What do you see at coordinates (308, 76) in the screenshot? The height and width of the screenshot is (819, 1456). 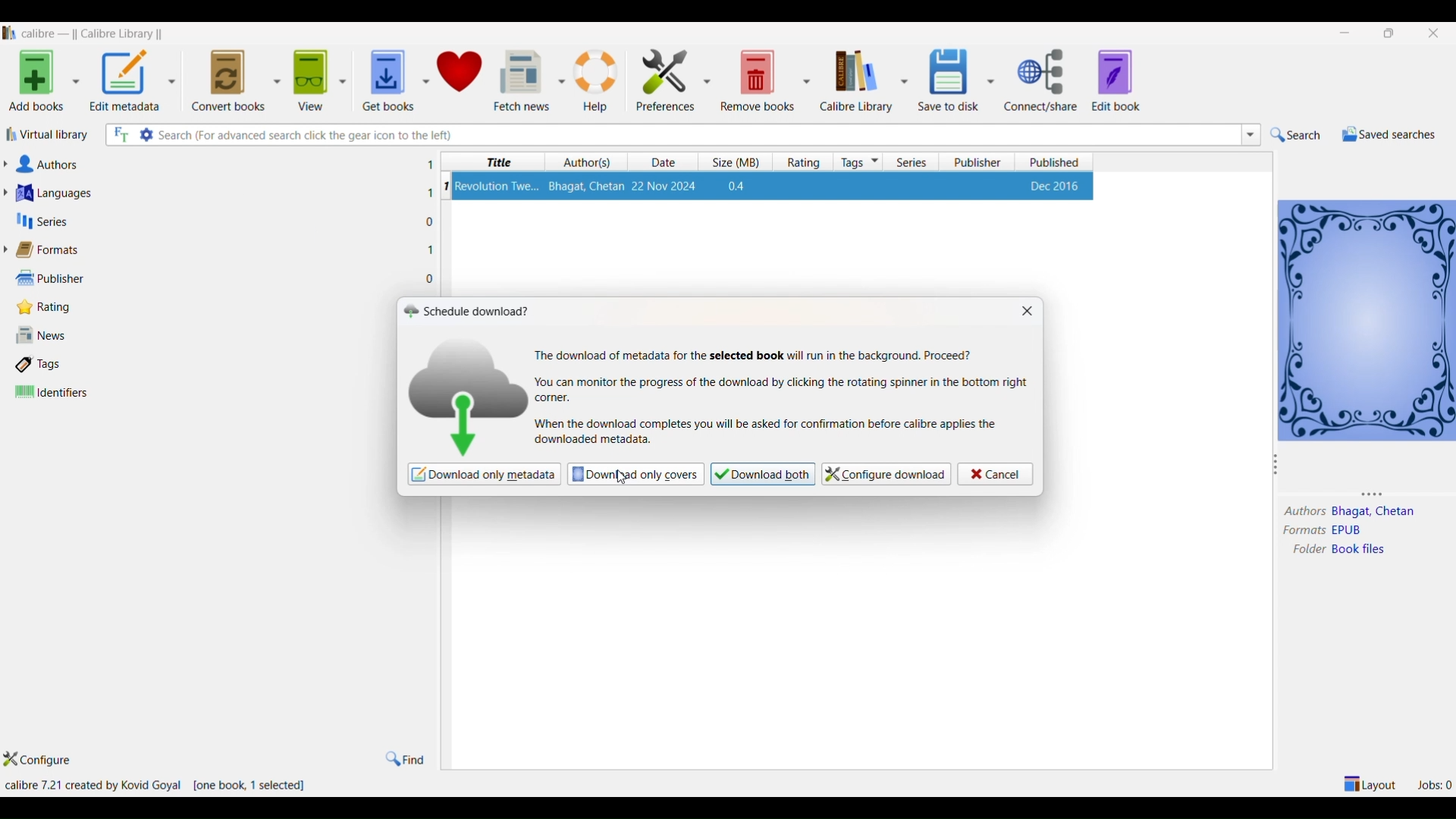 I see `view` at bounding box center [308, 76].